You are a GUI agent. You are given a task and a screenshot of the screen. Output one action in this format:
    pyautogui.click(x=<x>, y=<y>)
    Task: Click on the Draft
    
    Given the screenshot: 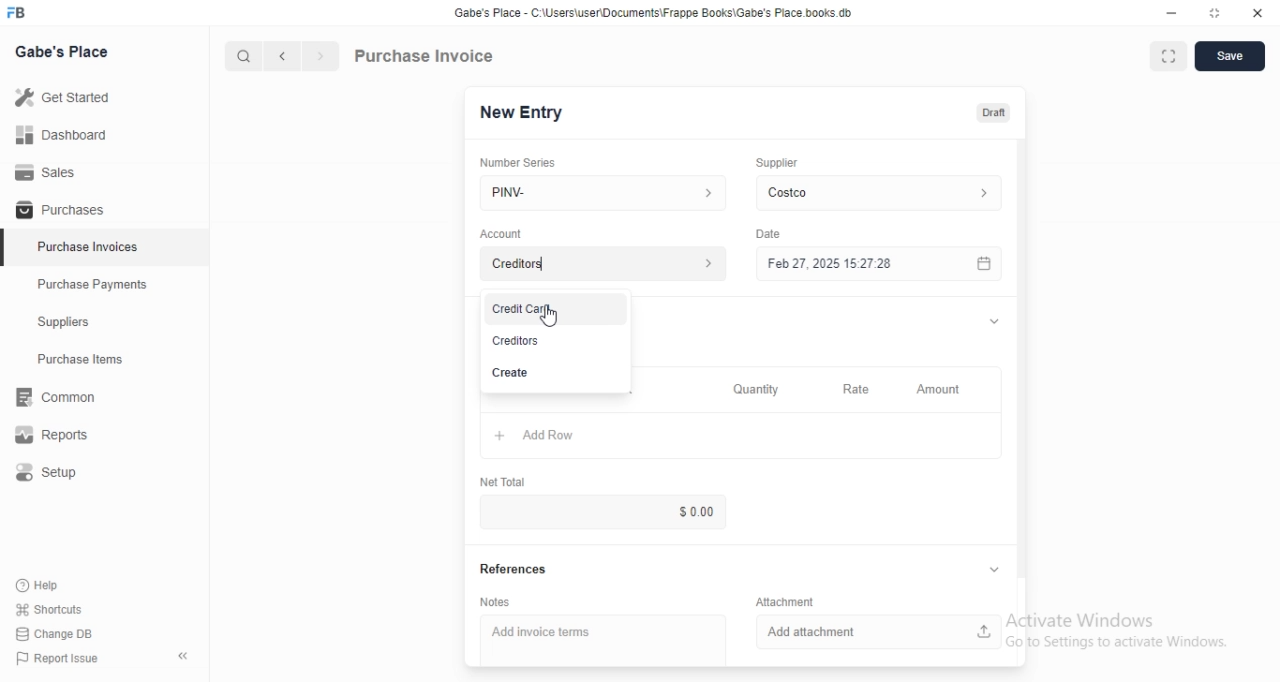 What is the action you would take?
    pyautogui.click(x=994, y=113)
    